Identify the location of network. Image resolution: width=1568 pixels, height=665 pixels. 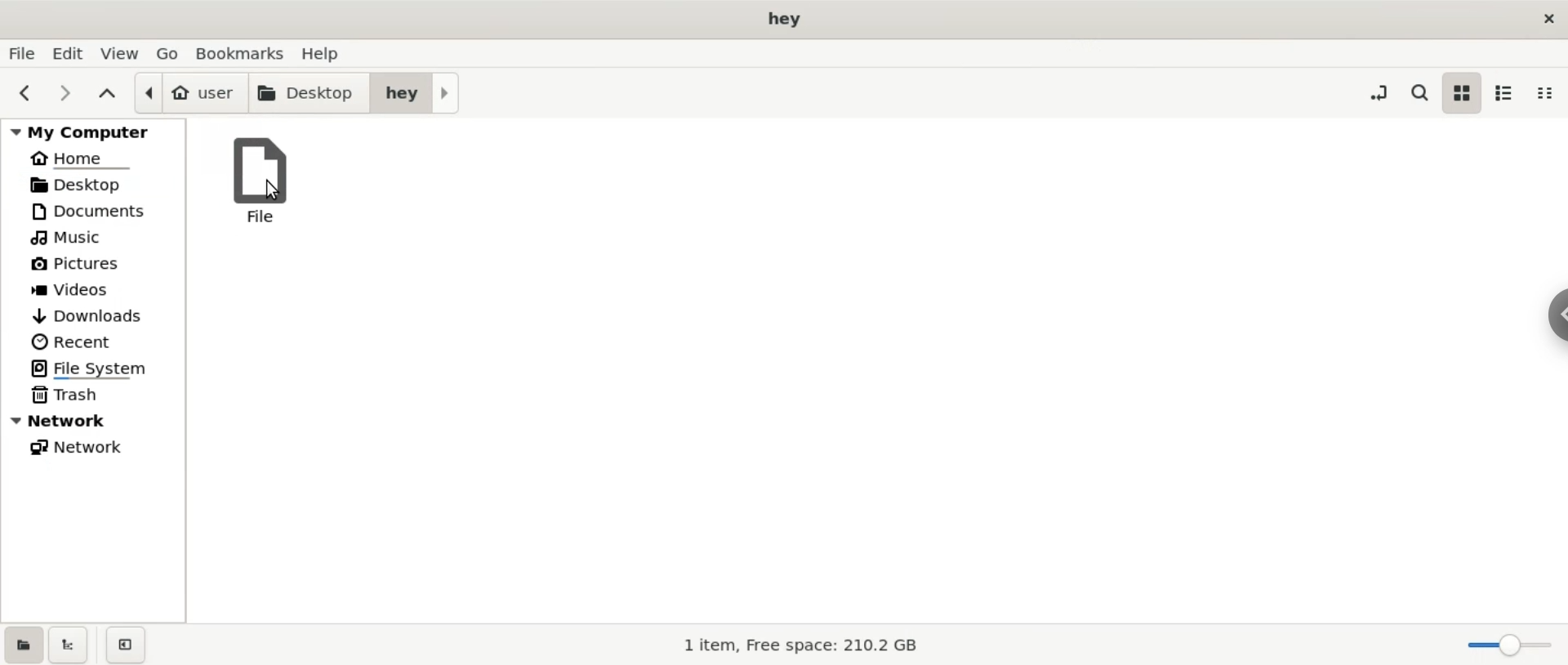
(103, 447).